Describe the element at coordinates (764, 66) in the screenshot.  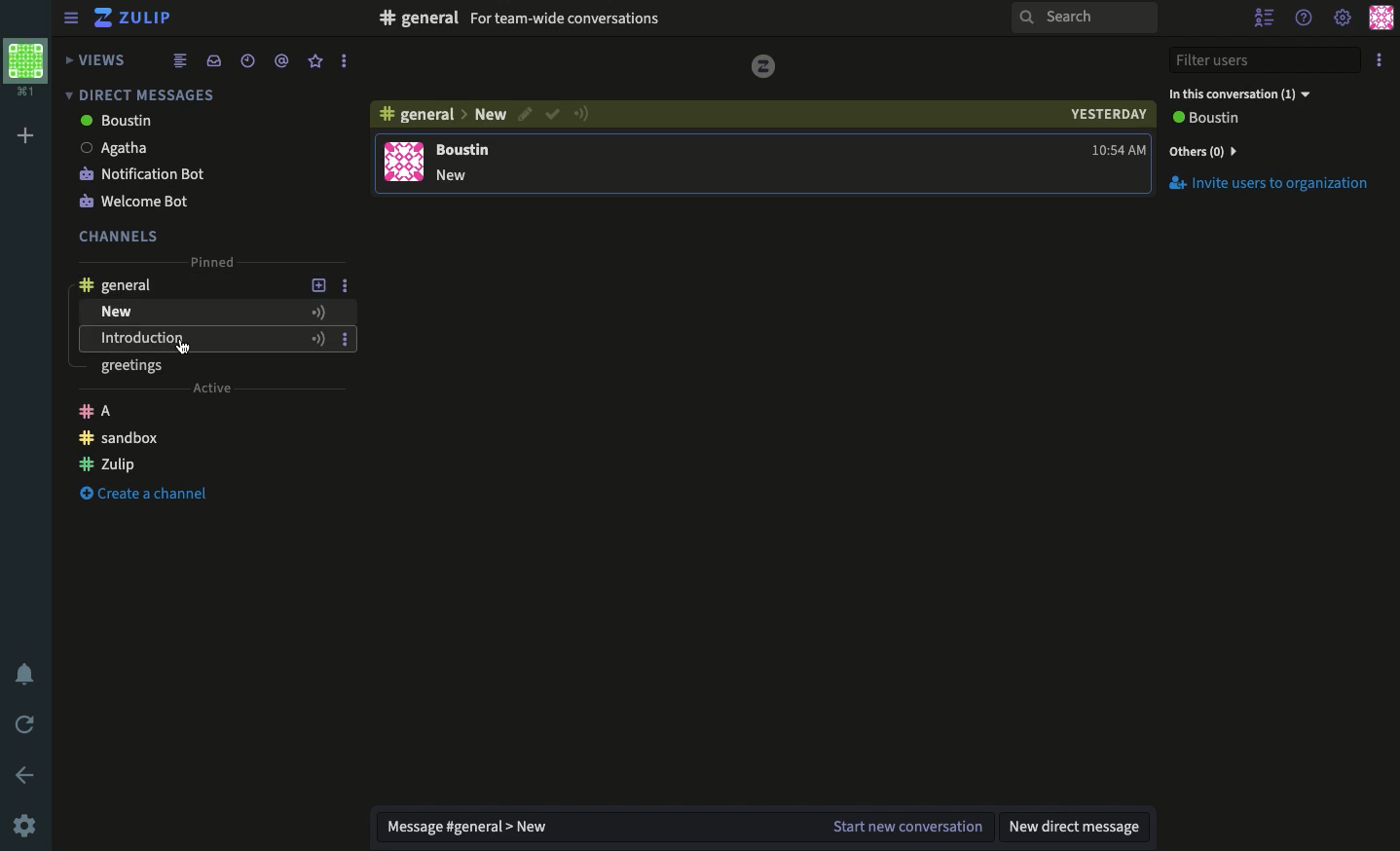
I see `zulip logo` at that location.